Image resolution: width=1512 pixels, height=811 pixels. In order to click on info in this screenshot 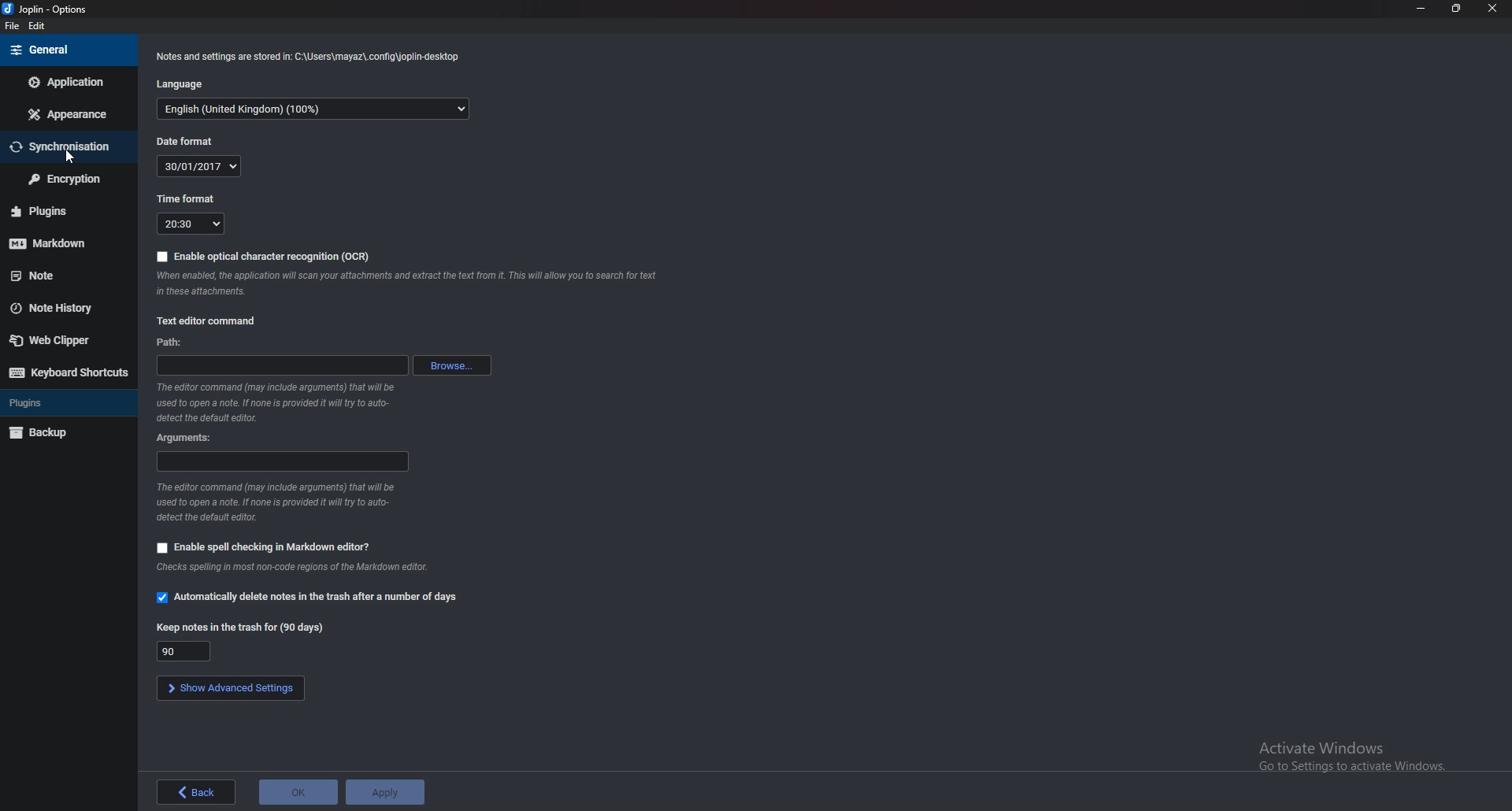, I will do `click(406, 282)`.